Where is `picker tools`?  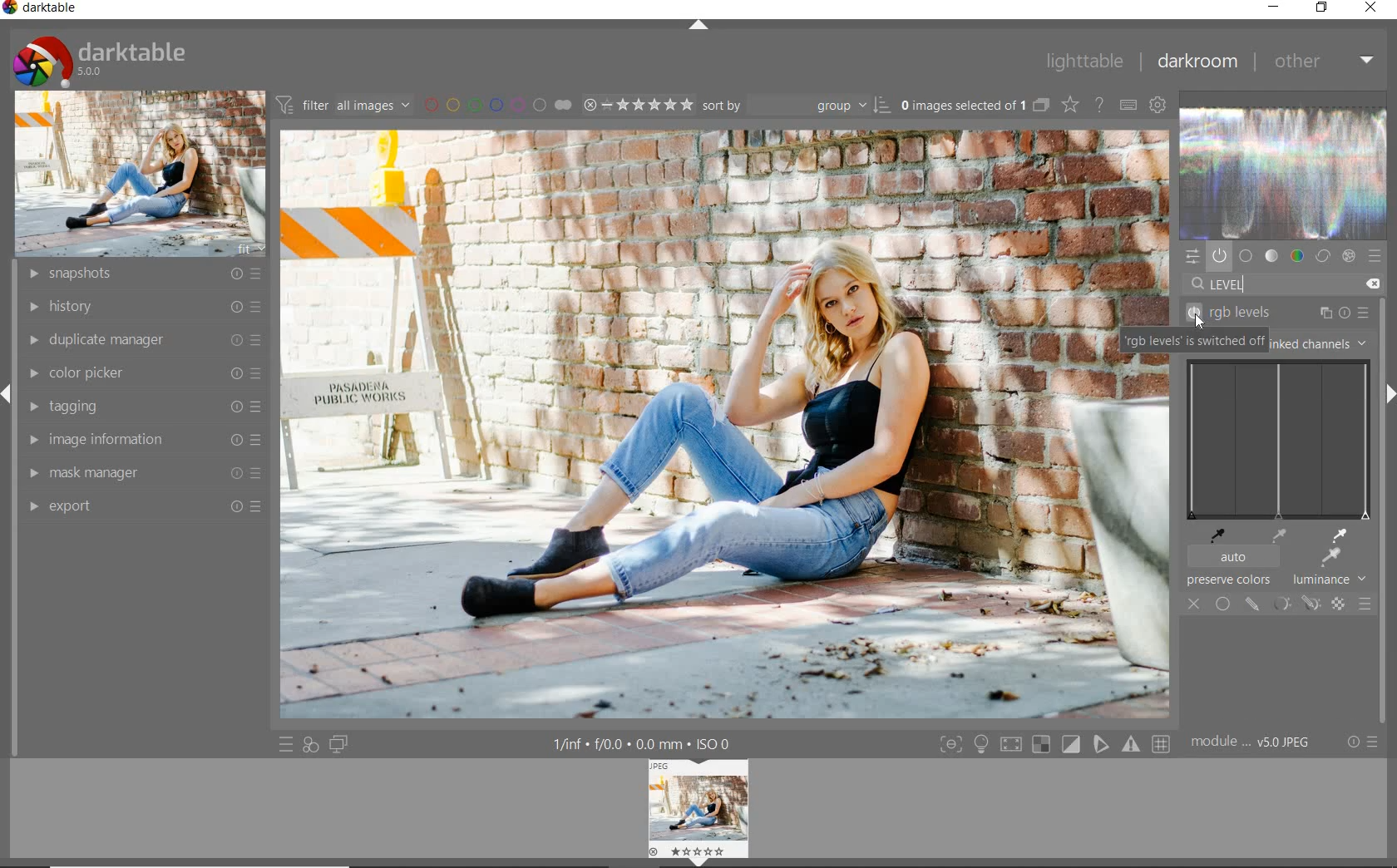 picker tools is located at coordinates (1270, 535).